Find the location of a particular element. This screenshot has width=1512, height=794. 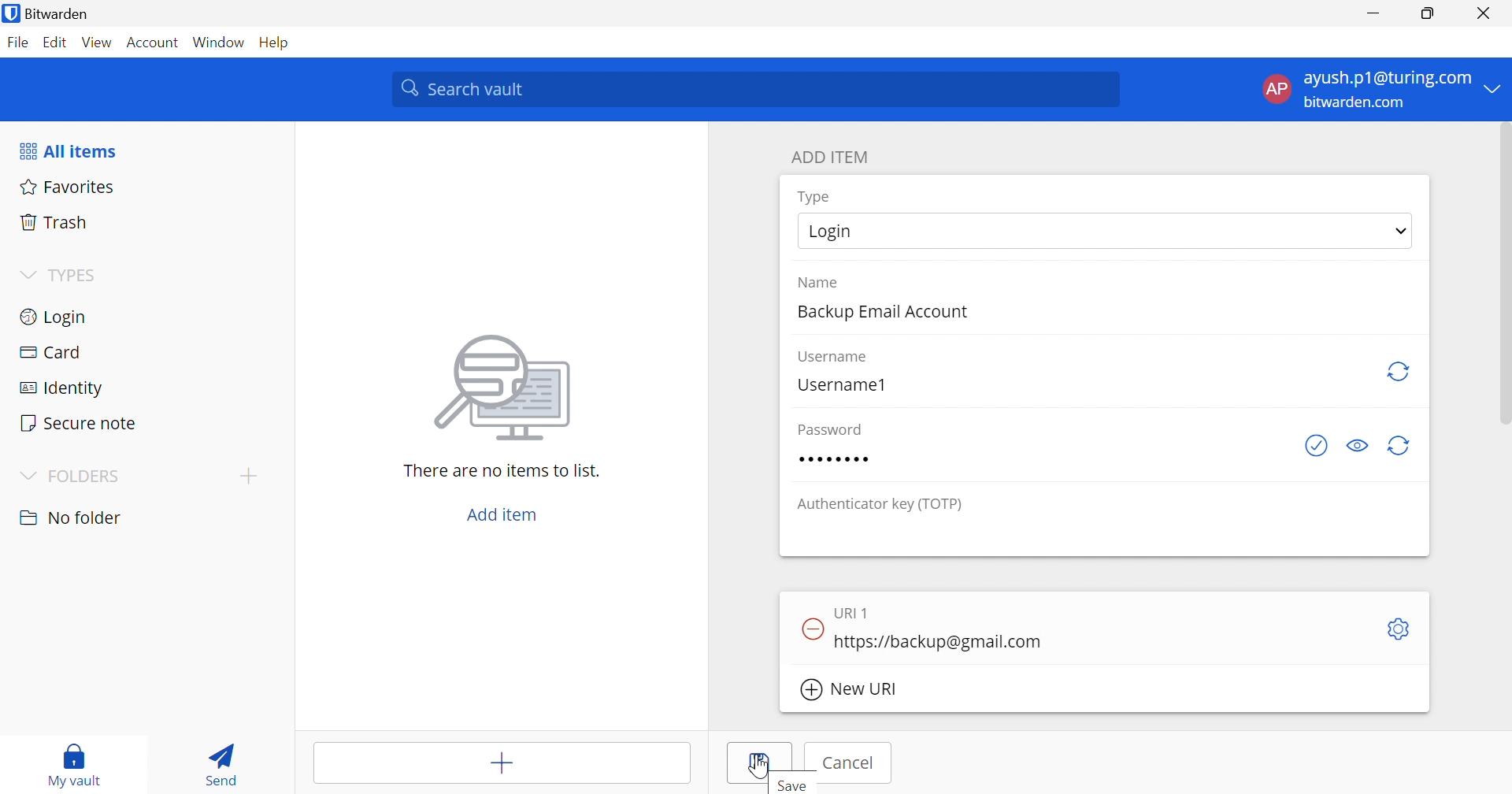

File is located at coordinates (17, 42).